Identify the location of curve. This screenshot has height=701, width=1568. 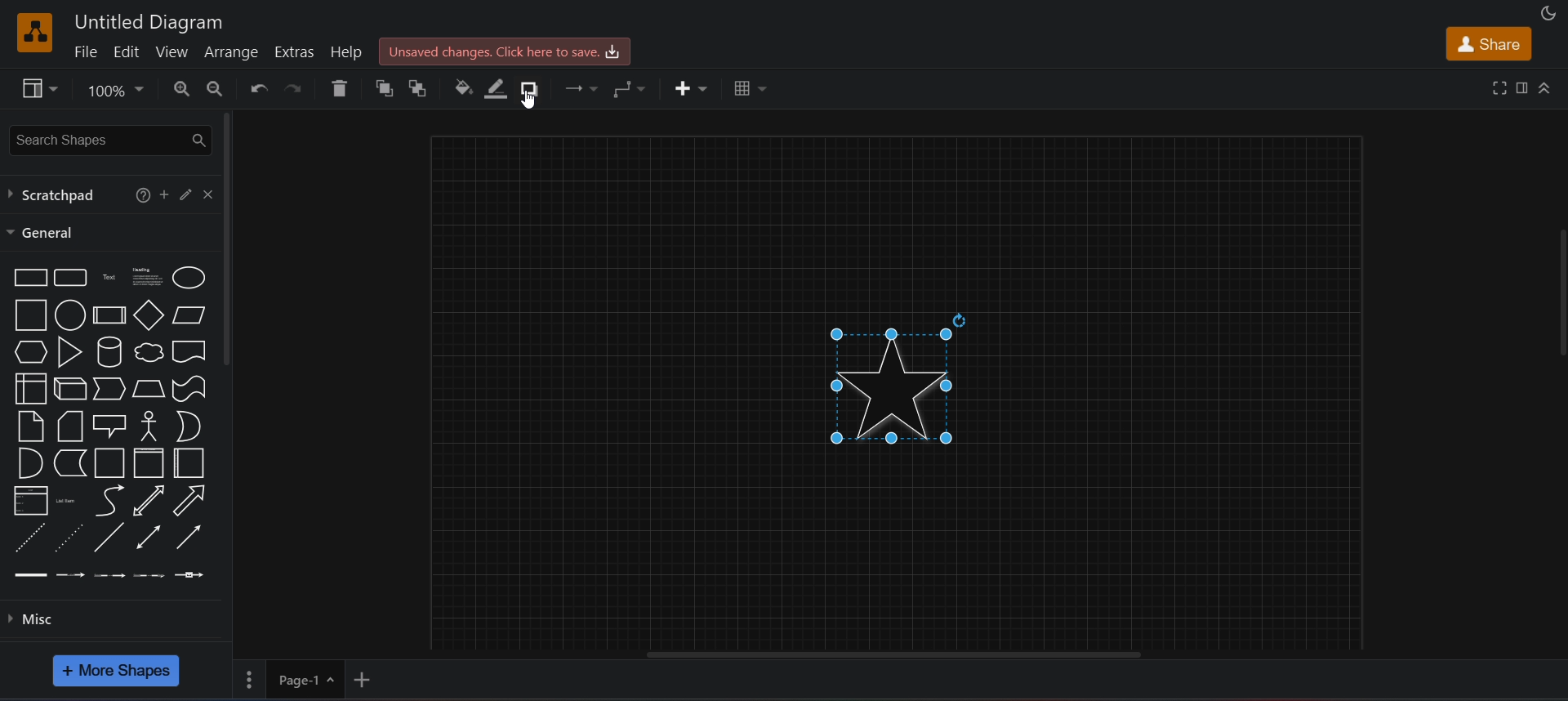
(109, 500).